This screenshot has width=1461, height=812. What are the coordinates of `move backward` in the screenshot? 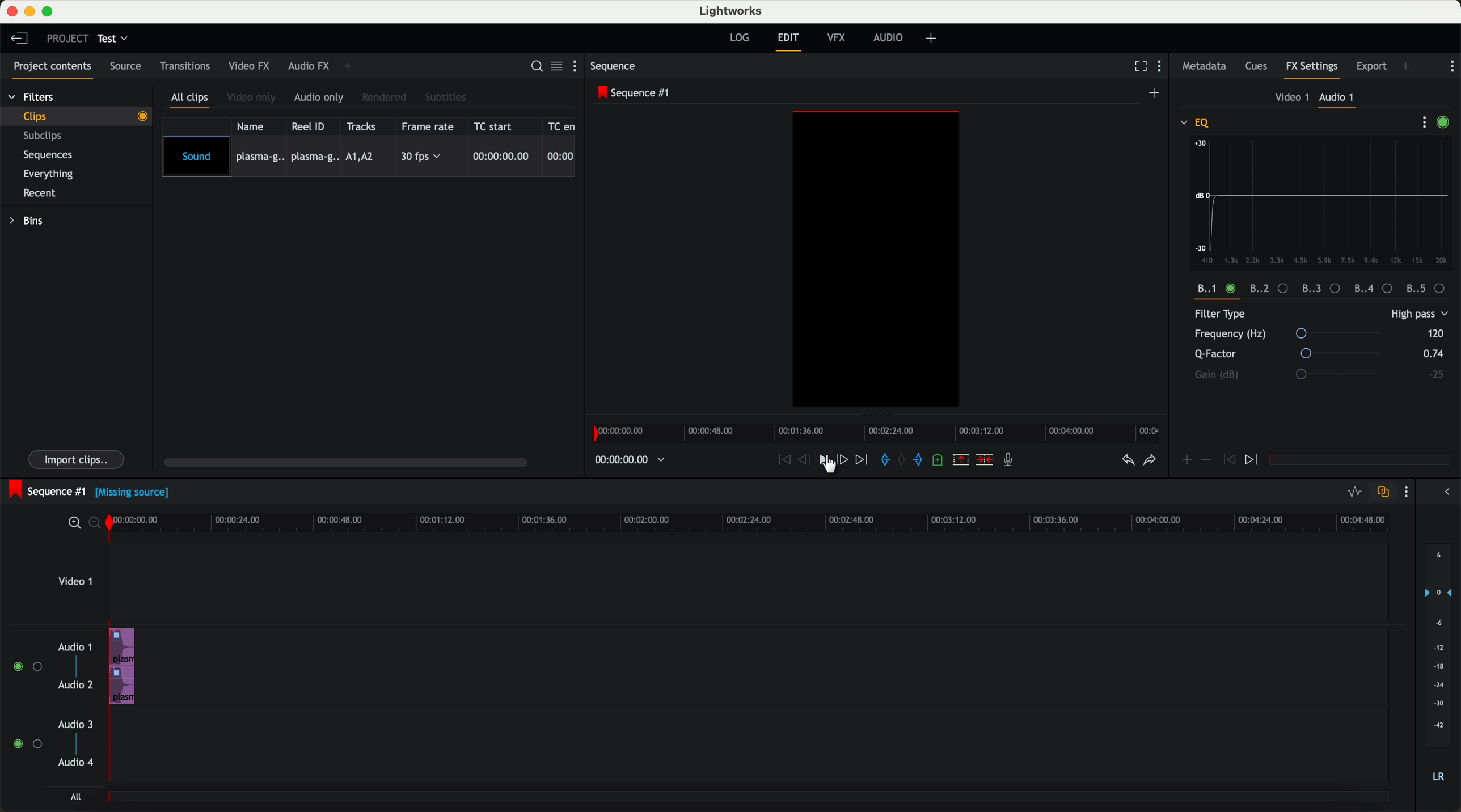 It's located at (782, 460).